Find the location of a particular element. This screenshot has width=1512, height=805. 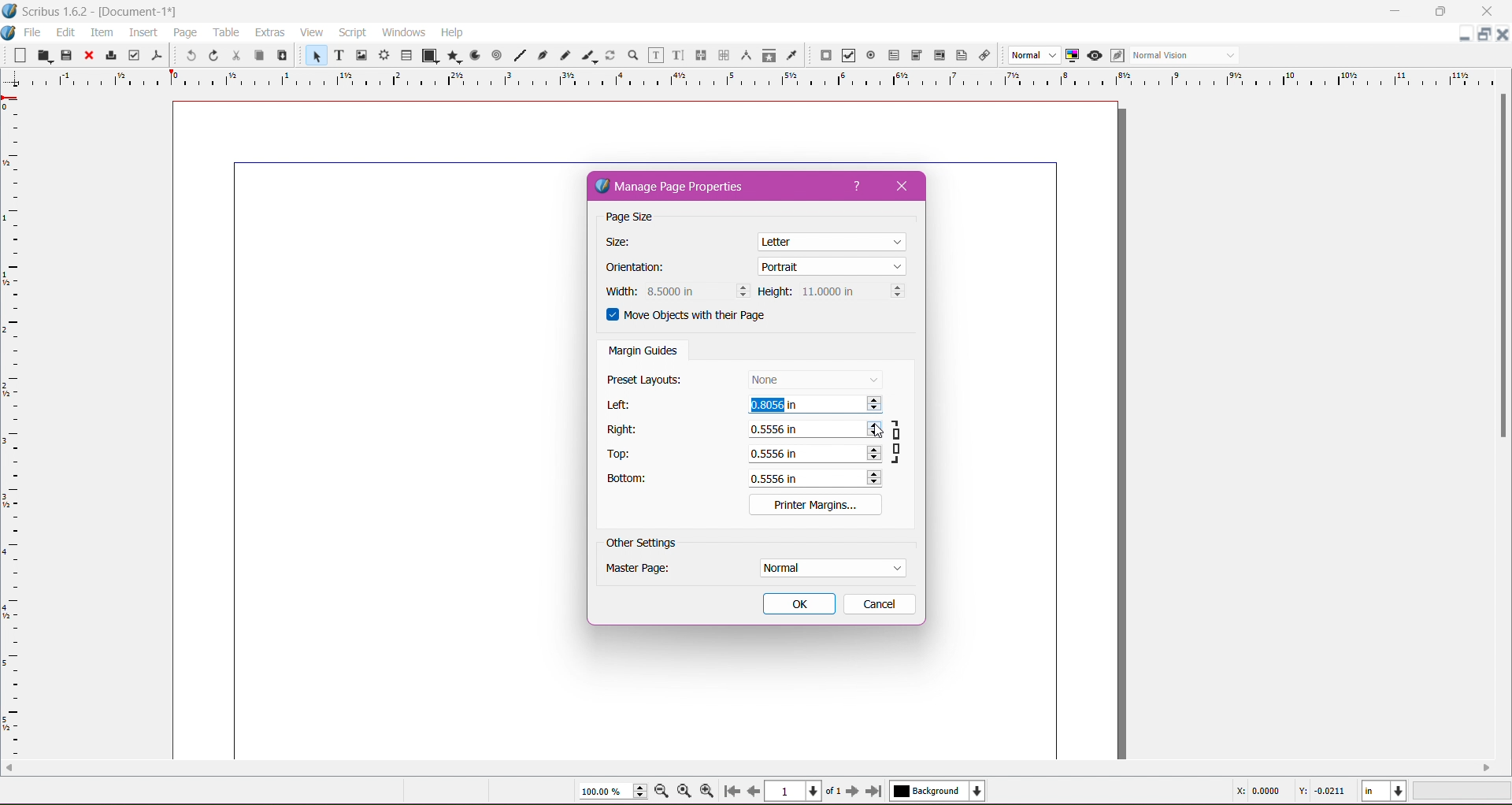

Close is located at coordinates (1481, 12).